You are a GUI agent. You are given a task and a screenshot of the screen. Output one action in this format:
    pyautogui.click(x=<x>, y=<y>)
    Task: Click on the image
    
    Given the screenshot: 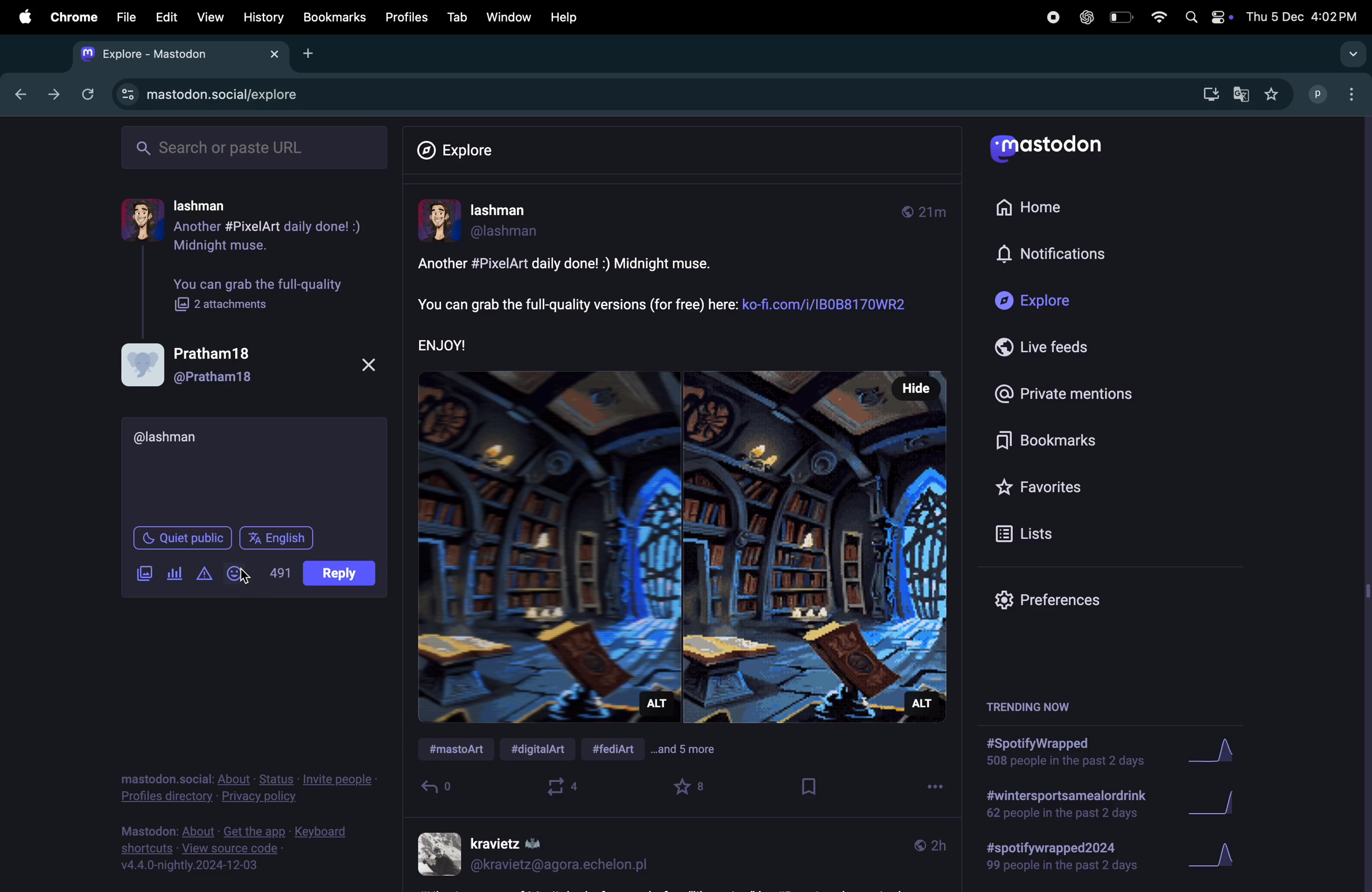 What is the action you would take?
    pyautogui.click(x=682, y=545)
    